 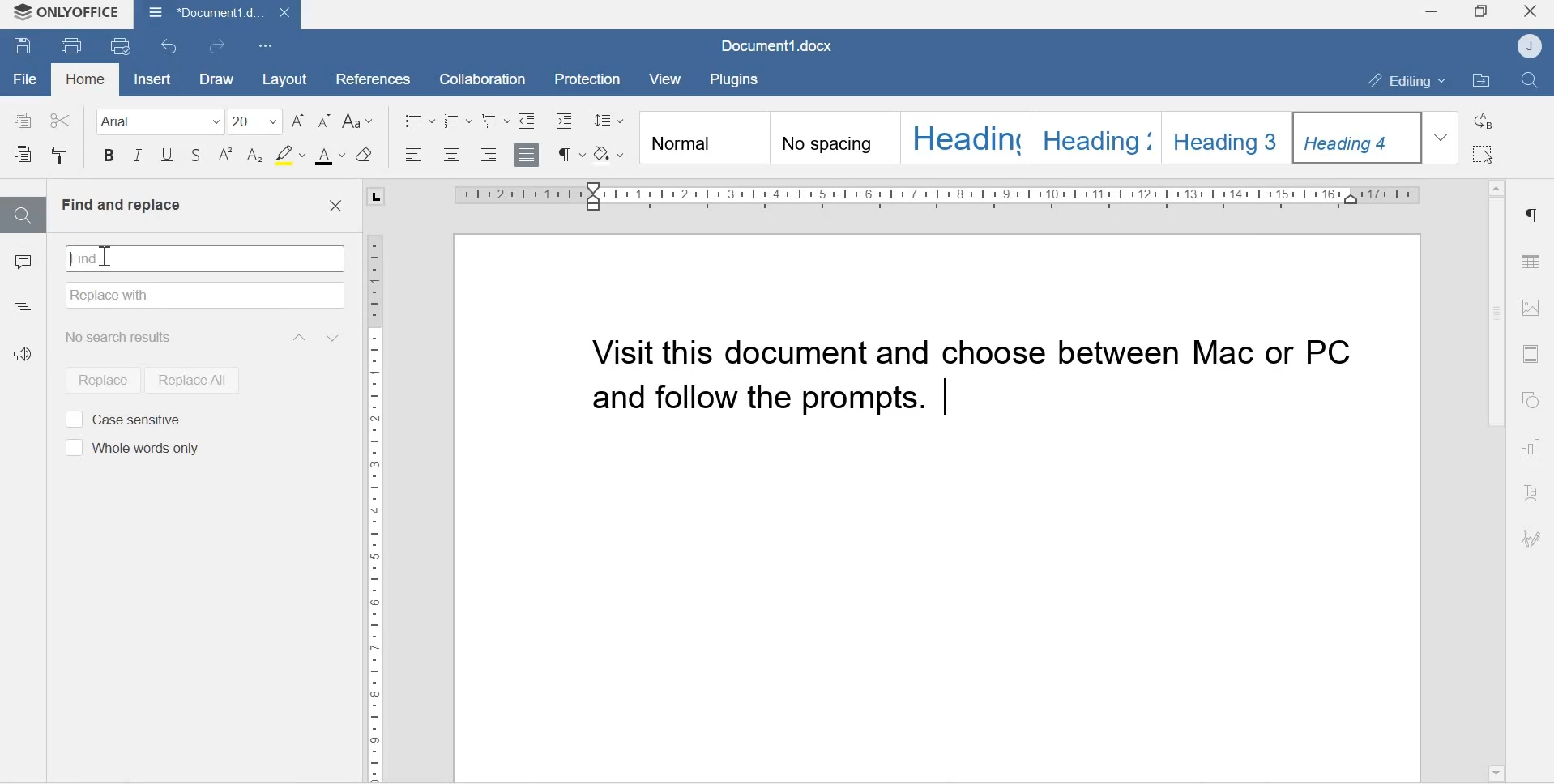 What do you see at coordinates (612, 152) in the screenshot?
I see `Shading` at bounding box center [612, 152].